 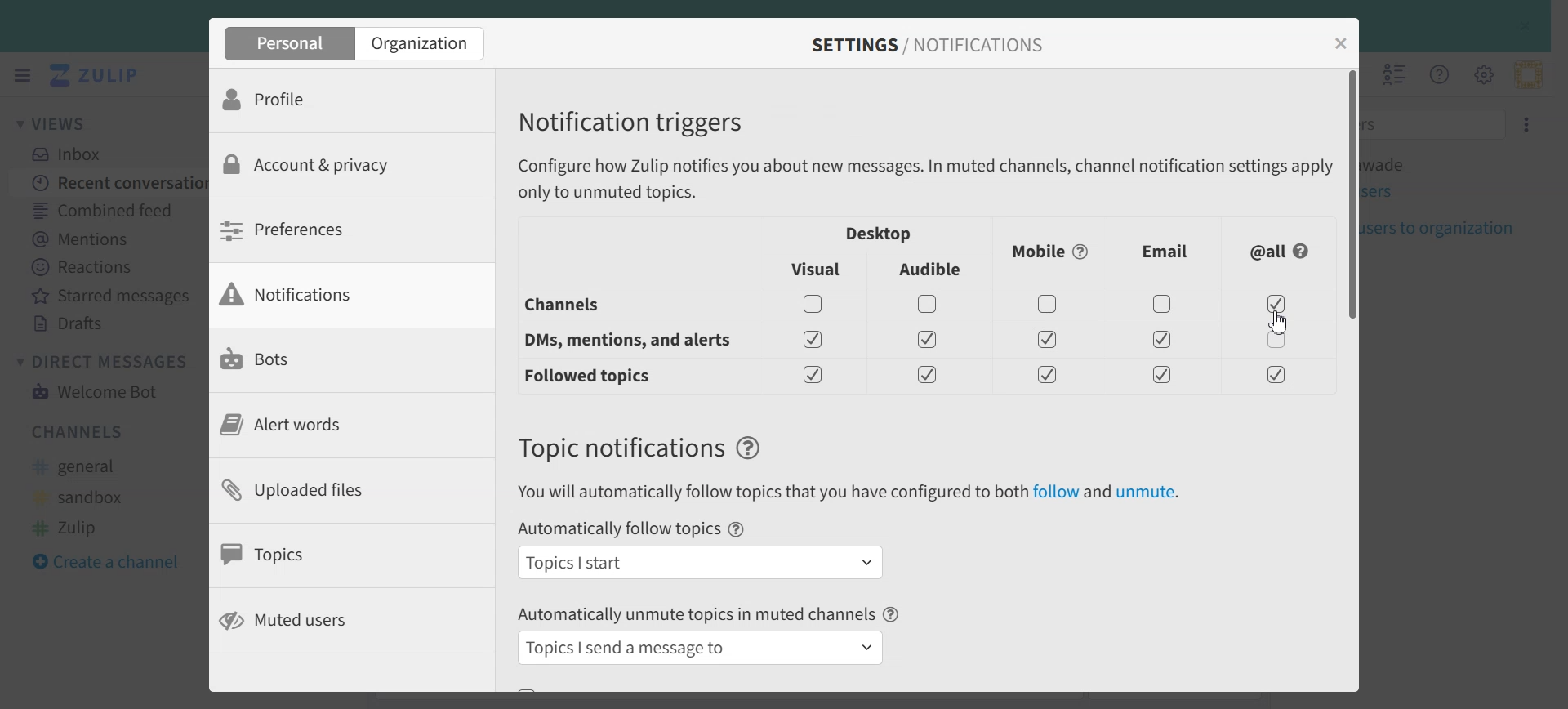 I want to click on Create a channel, so click(x=115, y=560).